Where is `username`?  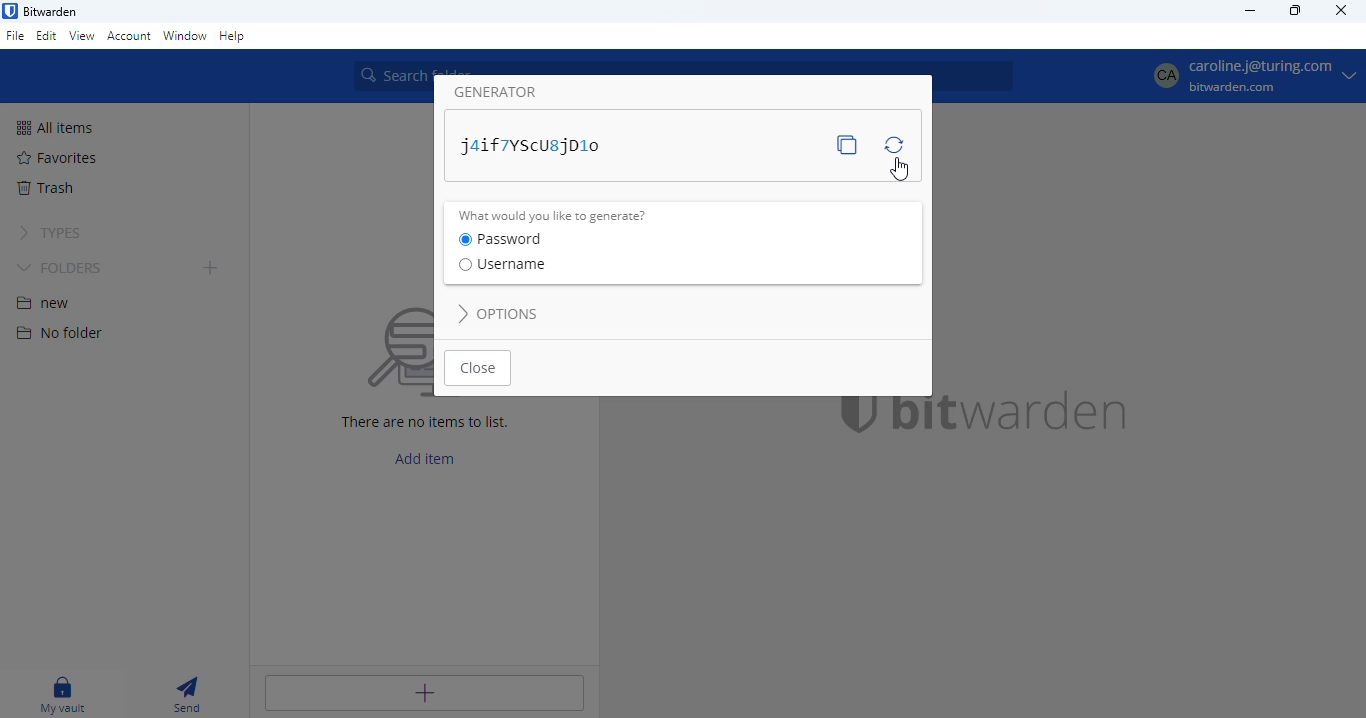 username is located at coordinates (502, 264).